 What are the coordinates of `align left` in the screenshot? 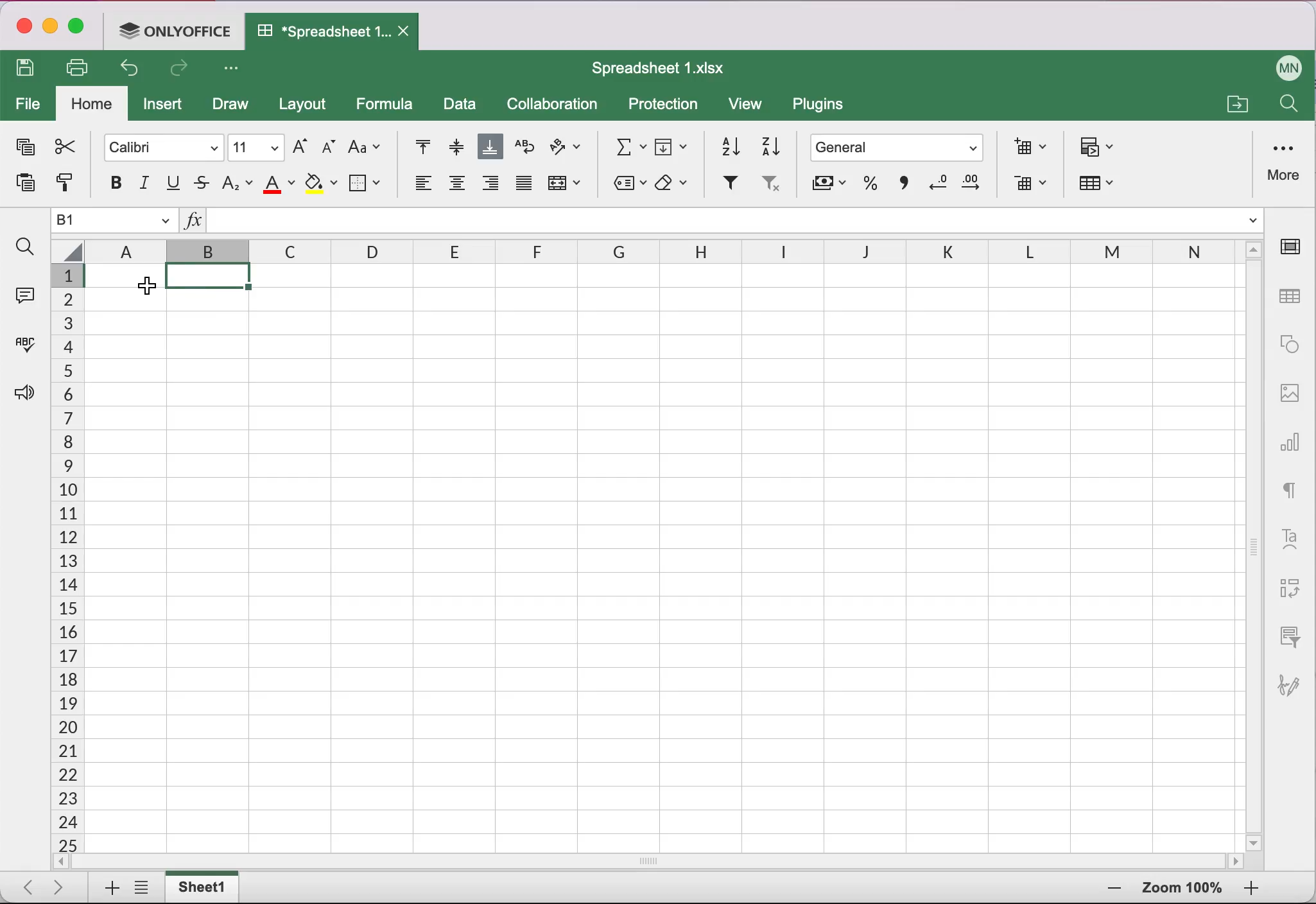 It's located at (420, 187).